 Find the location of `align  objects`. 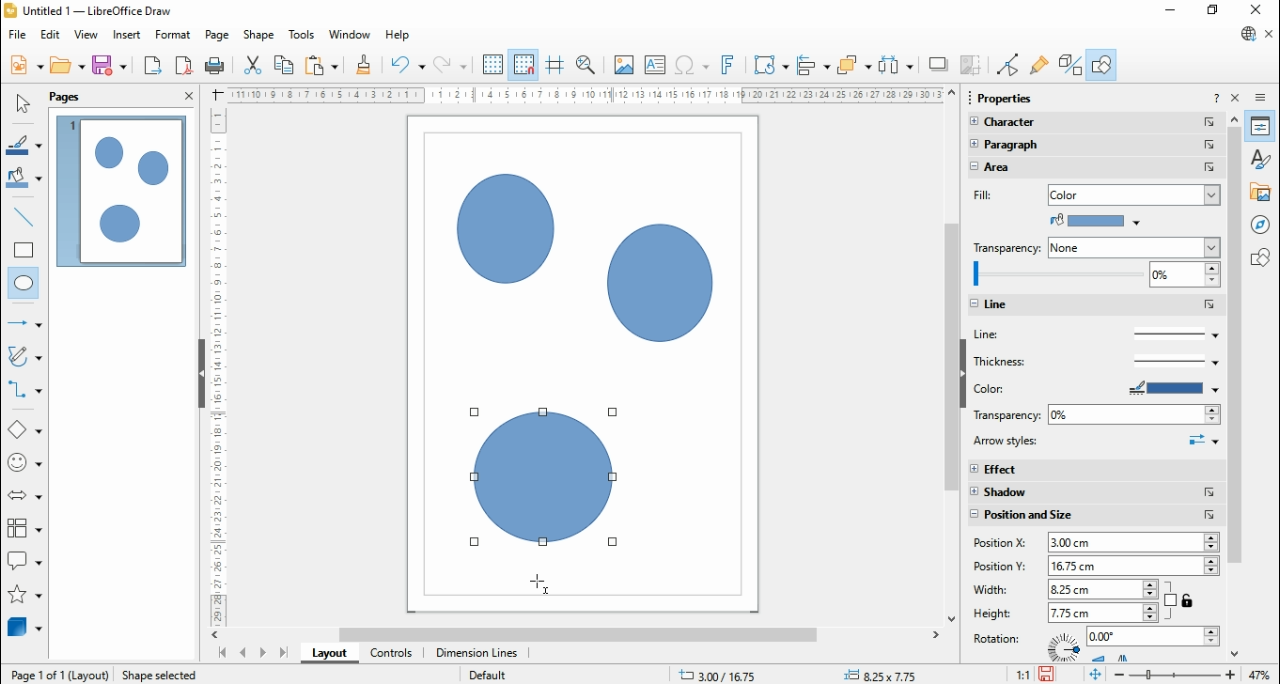

align  objects is located at coordinates (813, 65).